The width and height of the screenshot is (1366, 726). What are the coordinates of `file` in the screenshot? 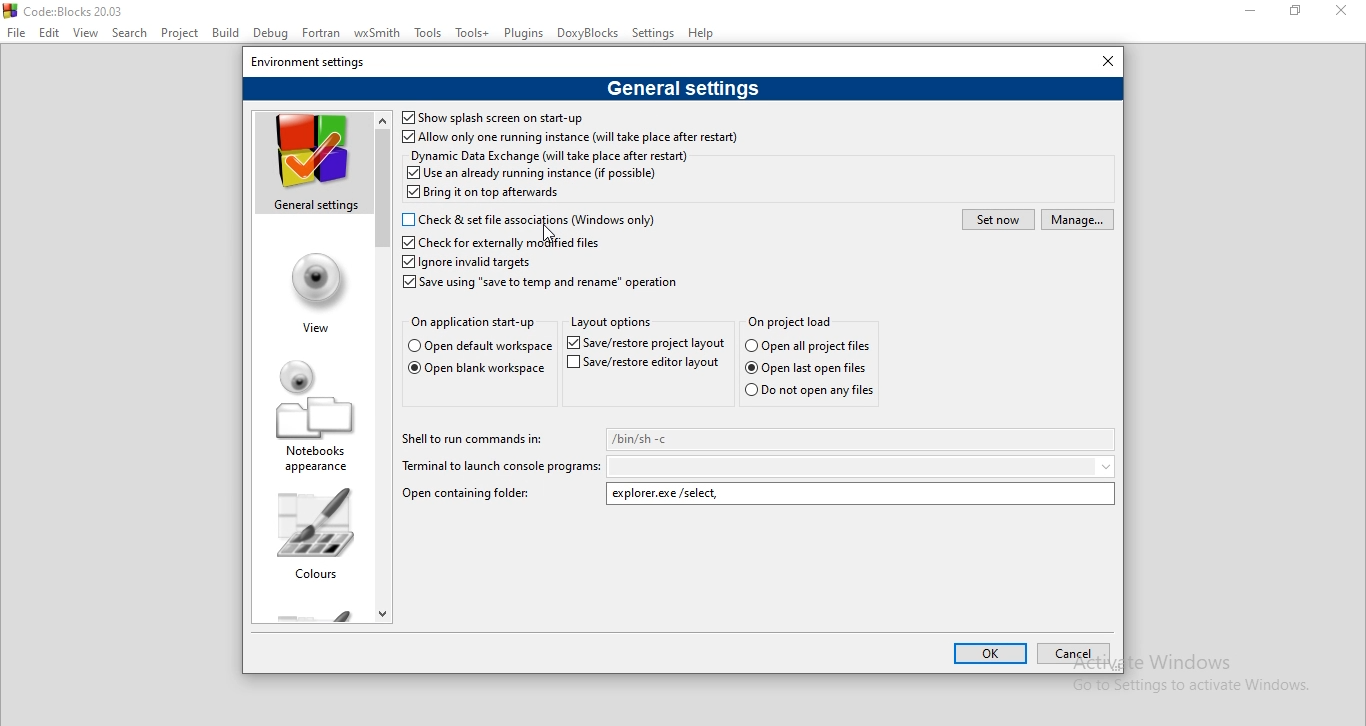 It's located at (15, 31).